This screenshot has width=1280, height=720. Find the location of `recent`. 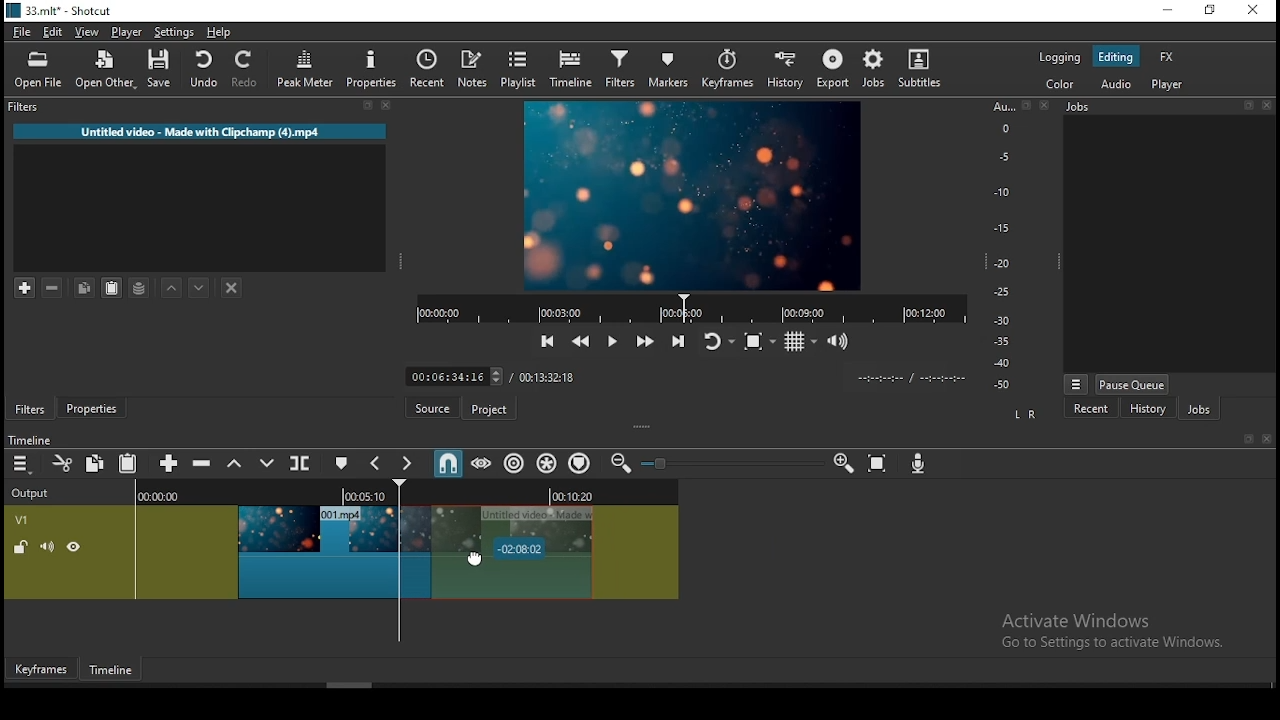

recent is located at coordinates (1091, 408).